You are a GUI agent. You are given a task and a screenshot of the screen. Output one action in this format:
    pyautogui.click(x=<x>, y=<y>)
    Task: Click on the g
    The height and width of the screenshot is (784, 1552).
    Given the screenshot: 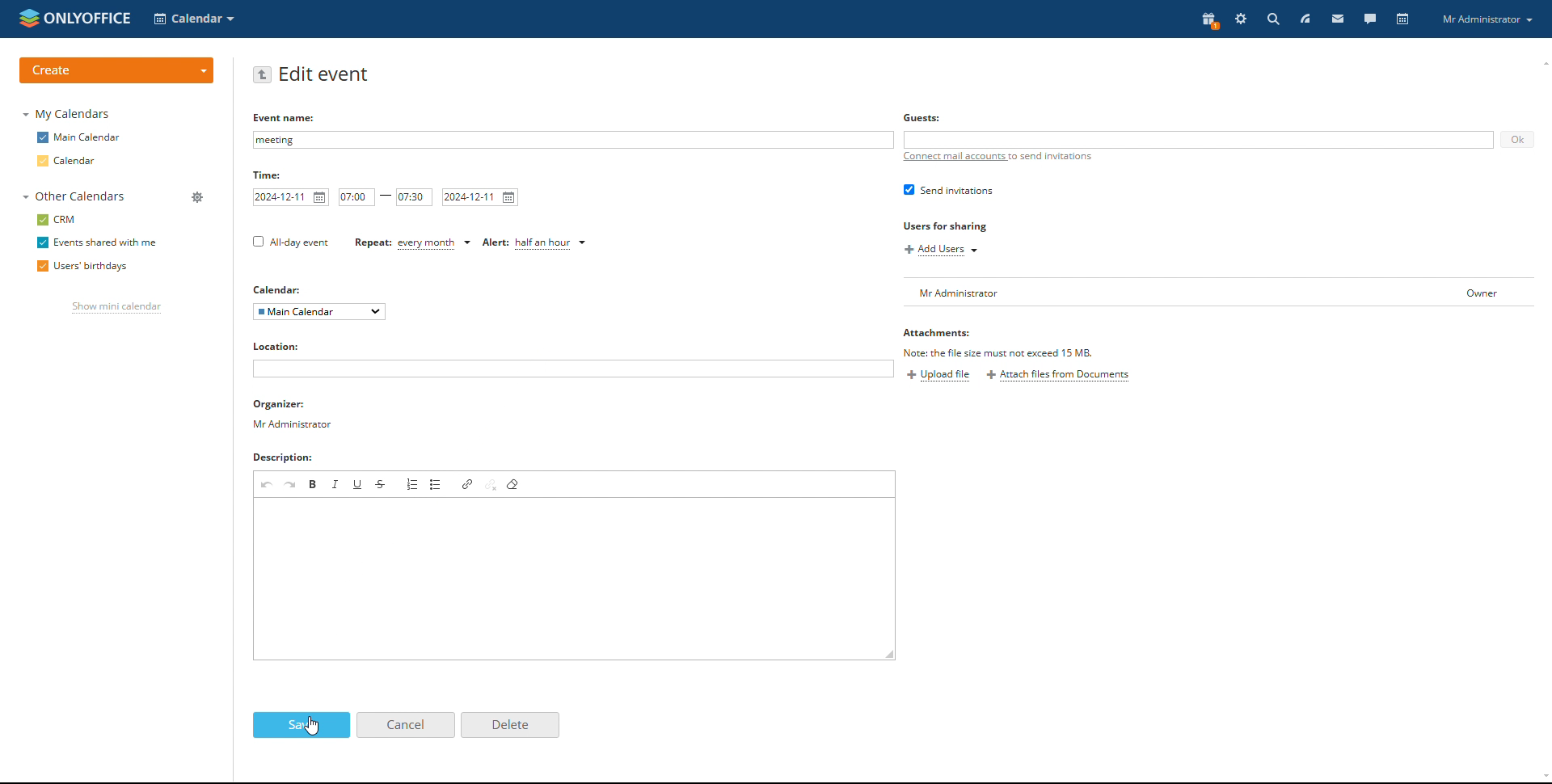 What is the action you would take?
    pyautogui.click(x=917, y=118)
    